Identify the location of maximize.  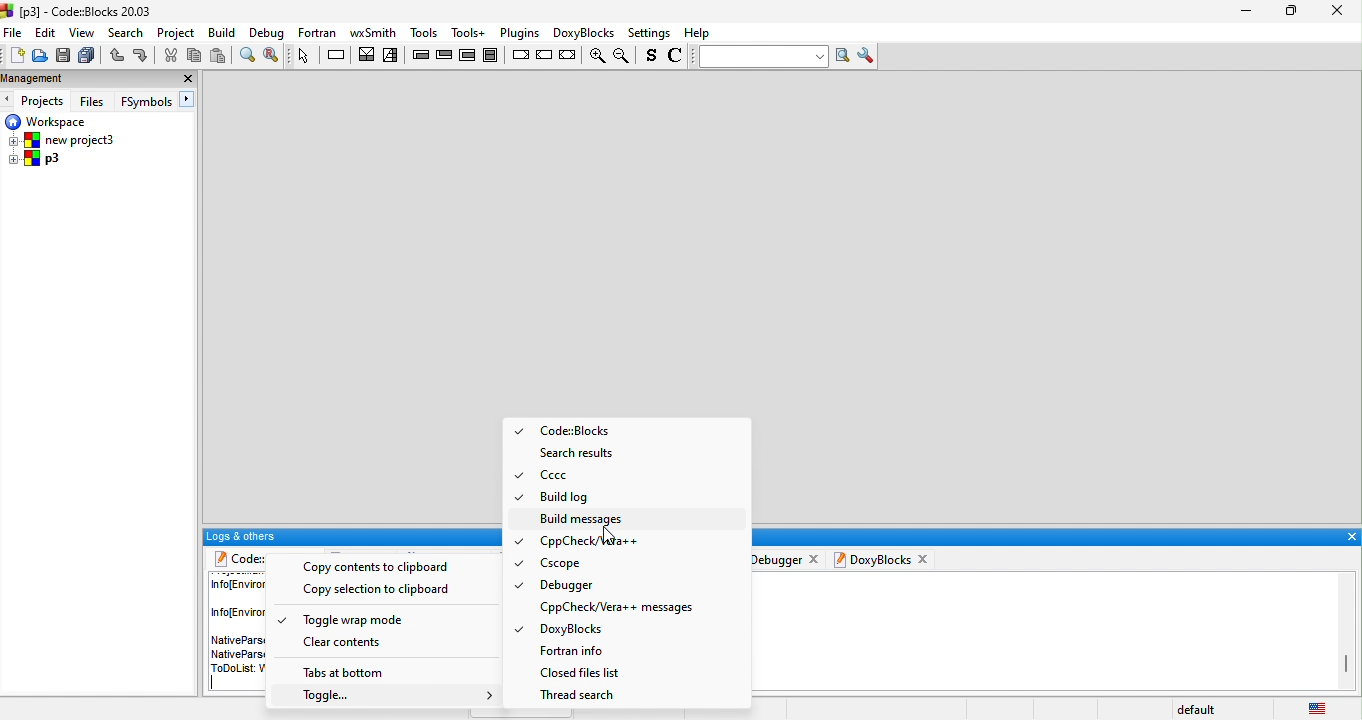
(1286, 12).